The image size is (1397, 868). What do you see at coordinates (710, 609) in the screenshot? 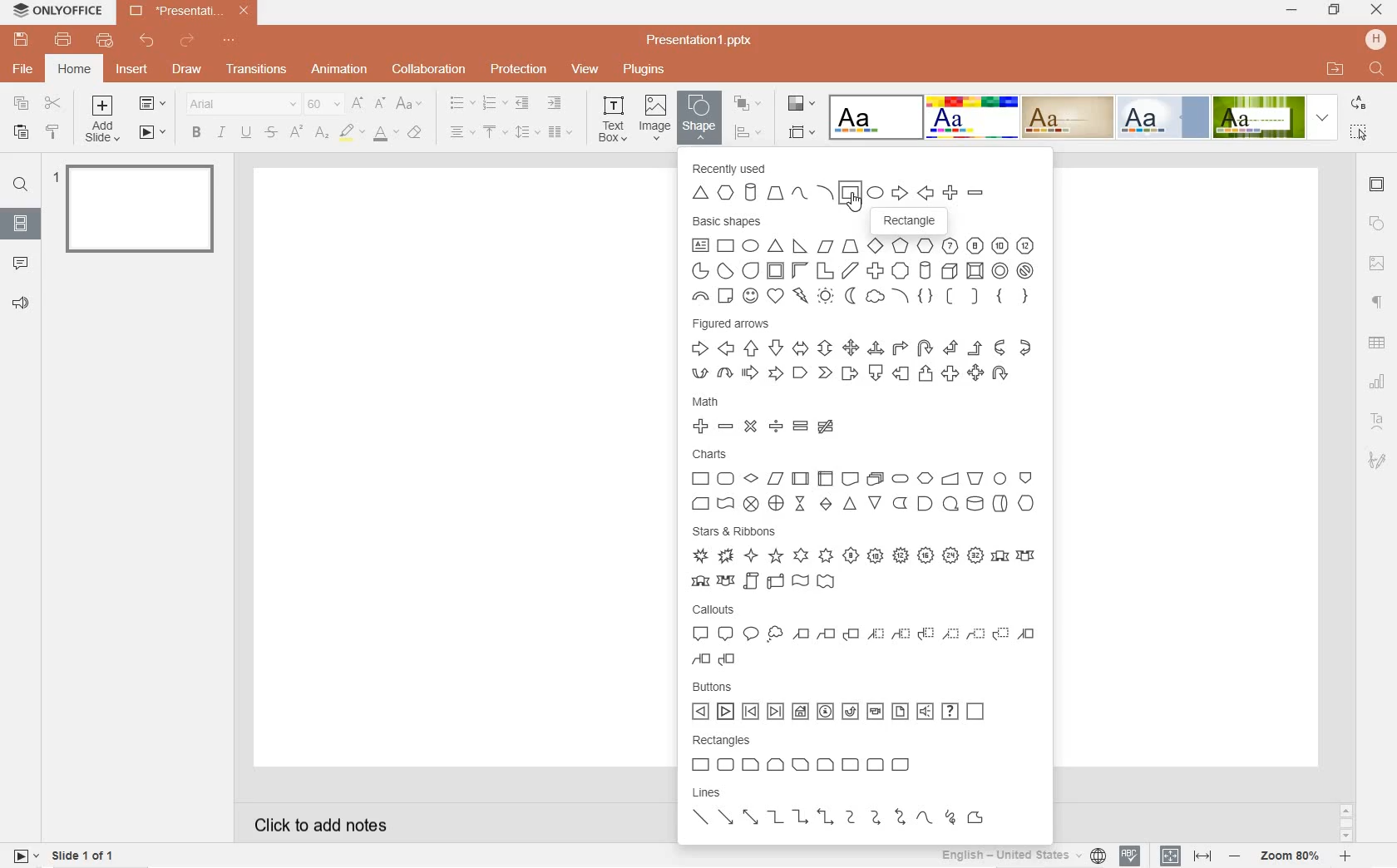
I see `callouts` at bounding box center [710, 609].